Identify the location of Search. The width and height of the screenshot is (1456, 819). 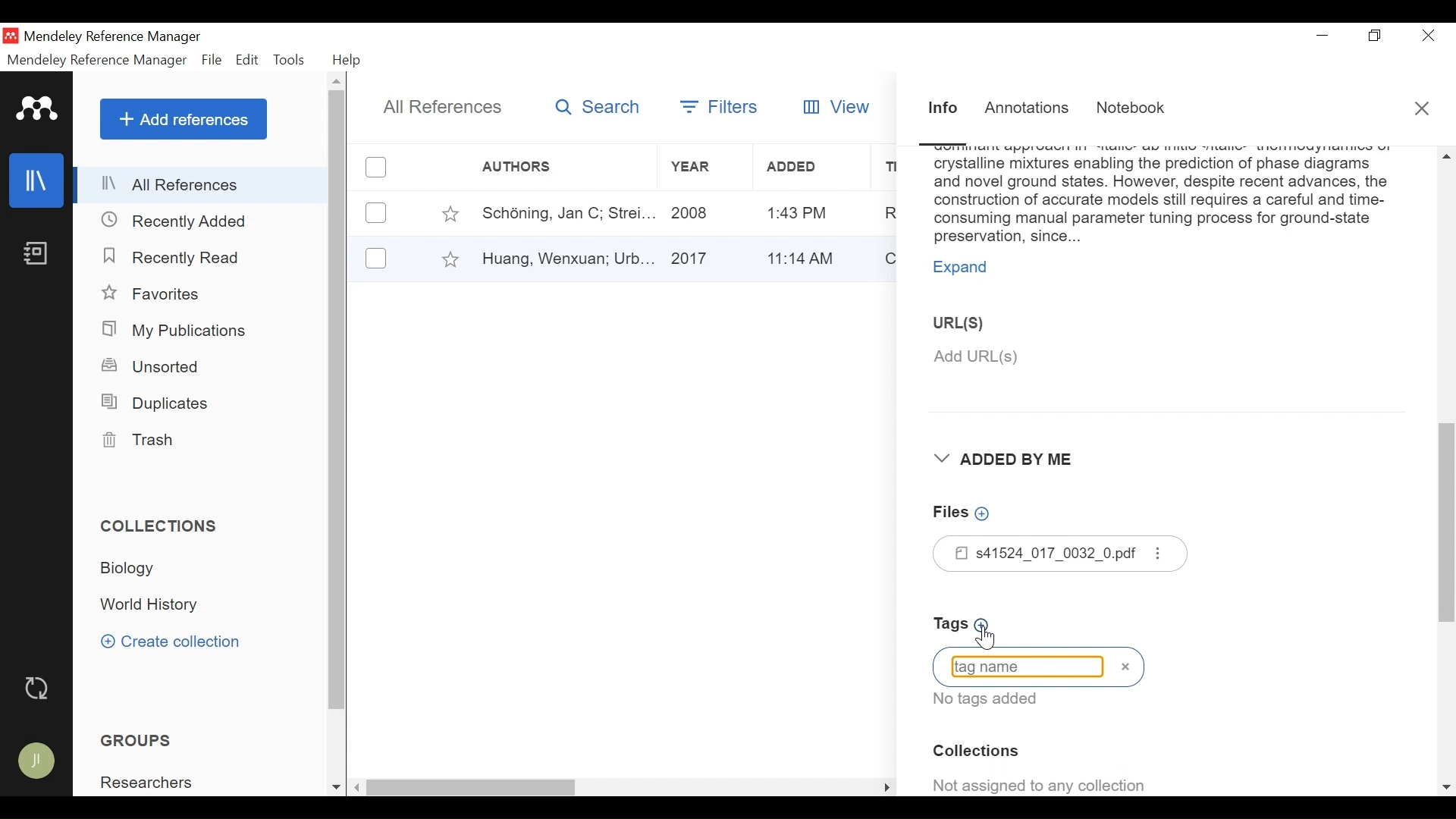
(598, 107).